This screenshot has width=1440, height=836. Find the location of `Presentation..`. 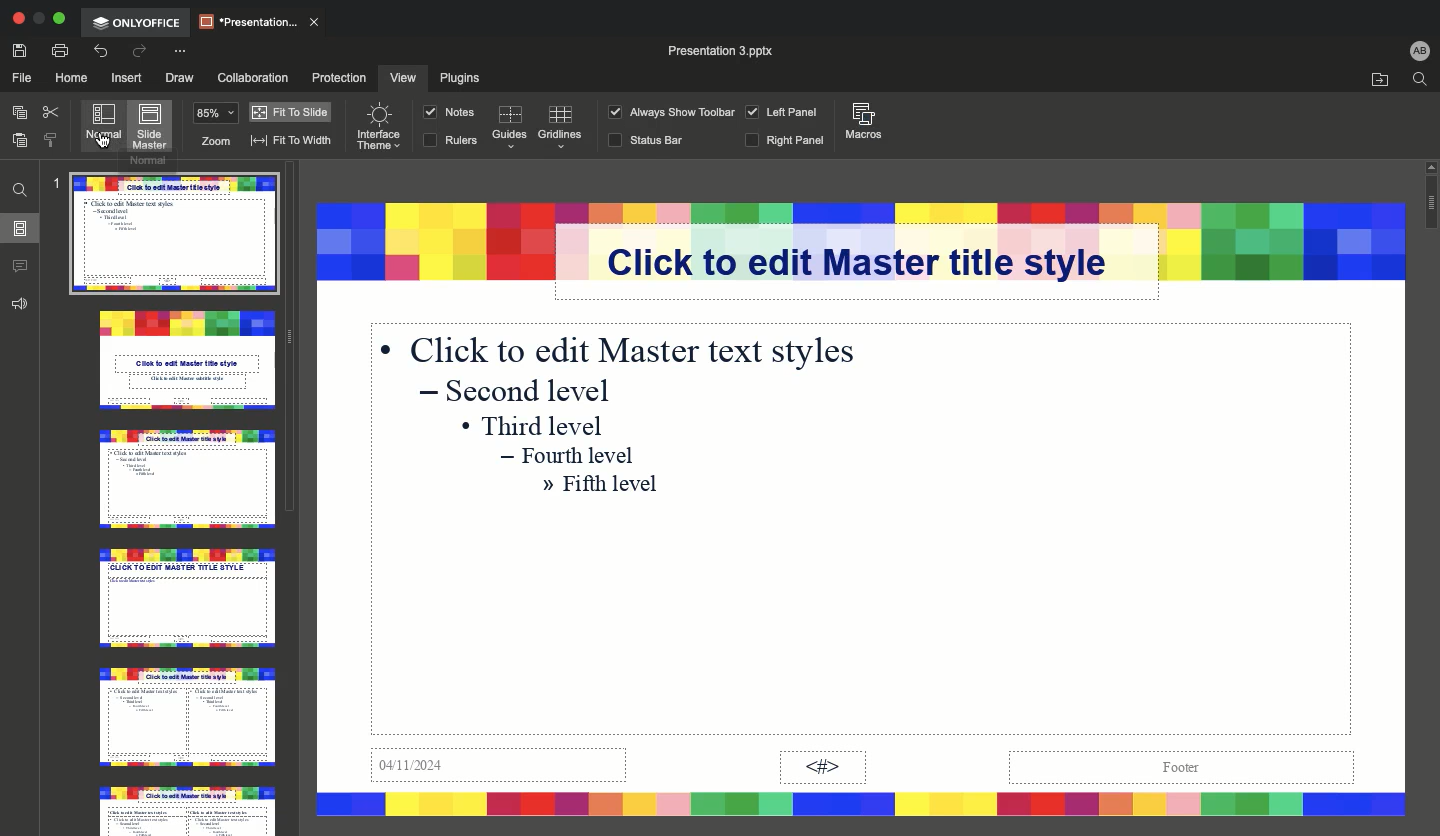

Presentation.. is located at coordinates (259, 20).